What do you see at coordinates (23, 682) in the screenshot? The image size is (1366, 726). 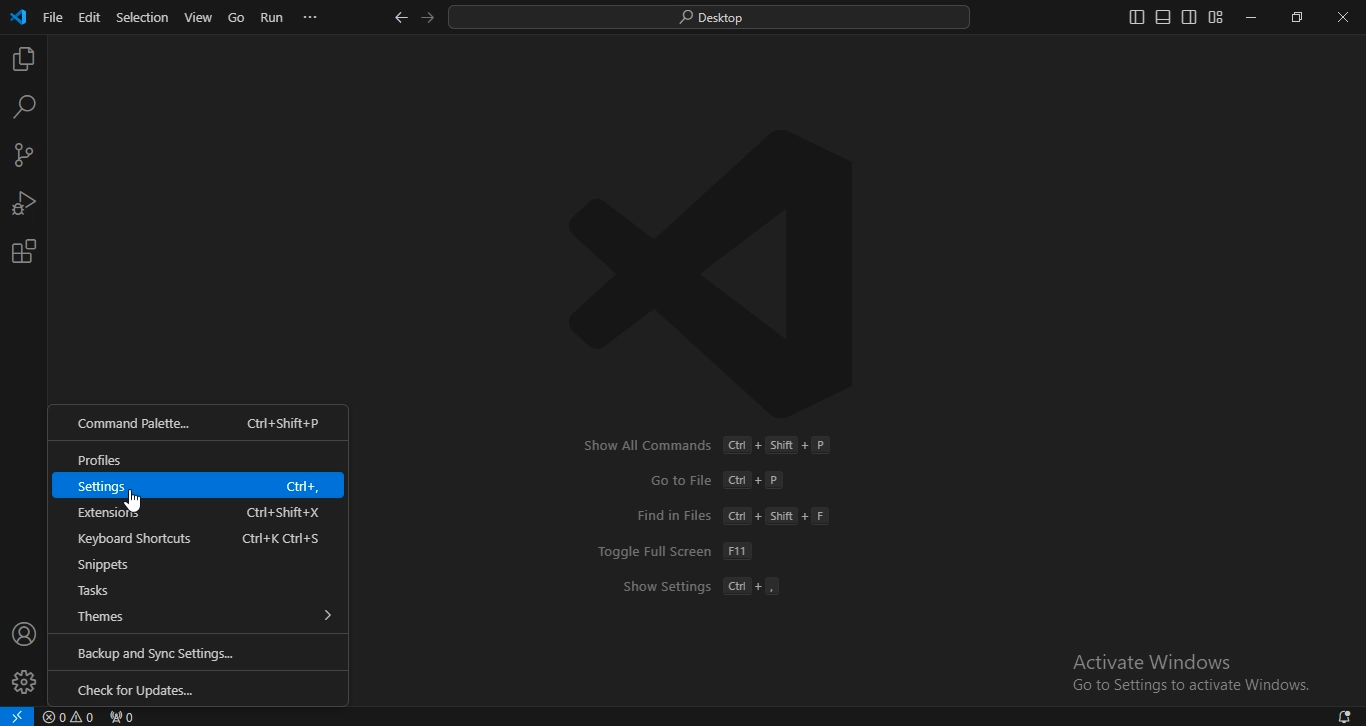 I see `settings` at bounding box center [23, 682].